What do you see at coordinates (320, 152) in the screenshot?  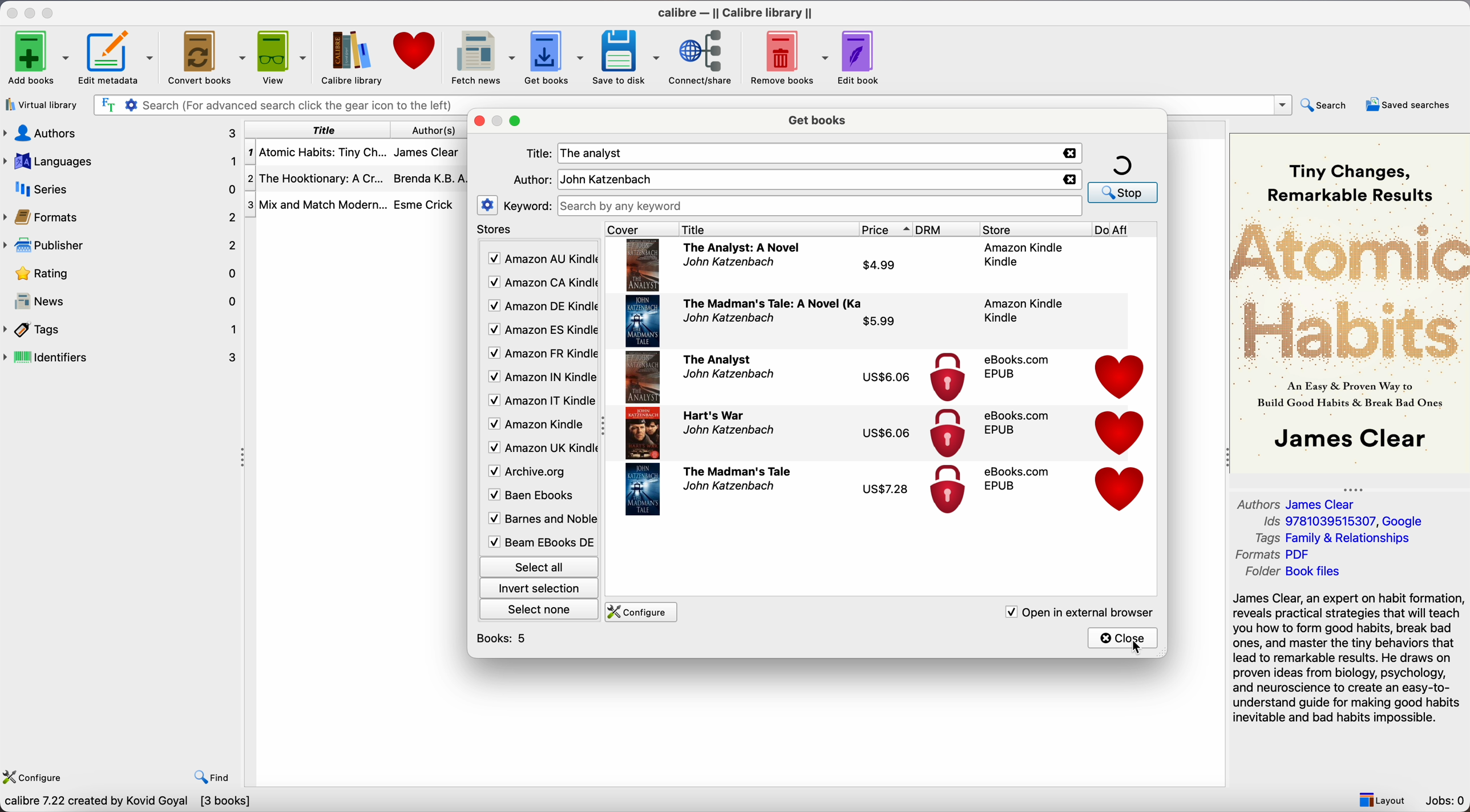 I see `Atomic Habits: Tiny Ch...` at bounding box center [320, 152].